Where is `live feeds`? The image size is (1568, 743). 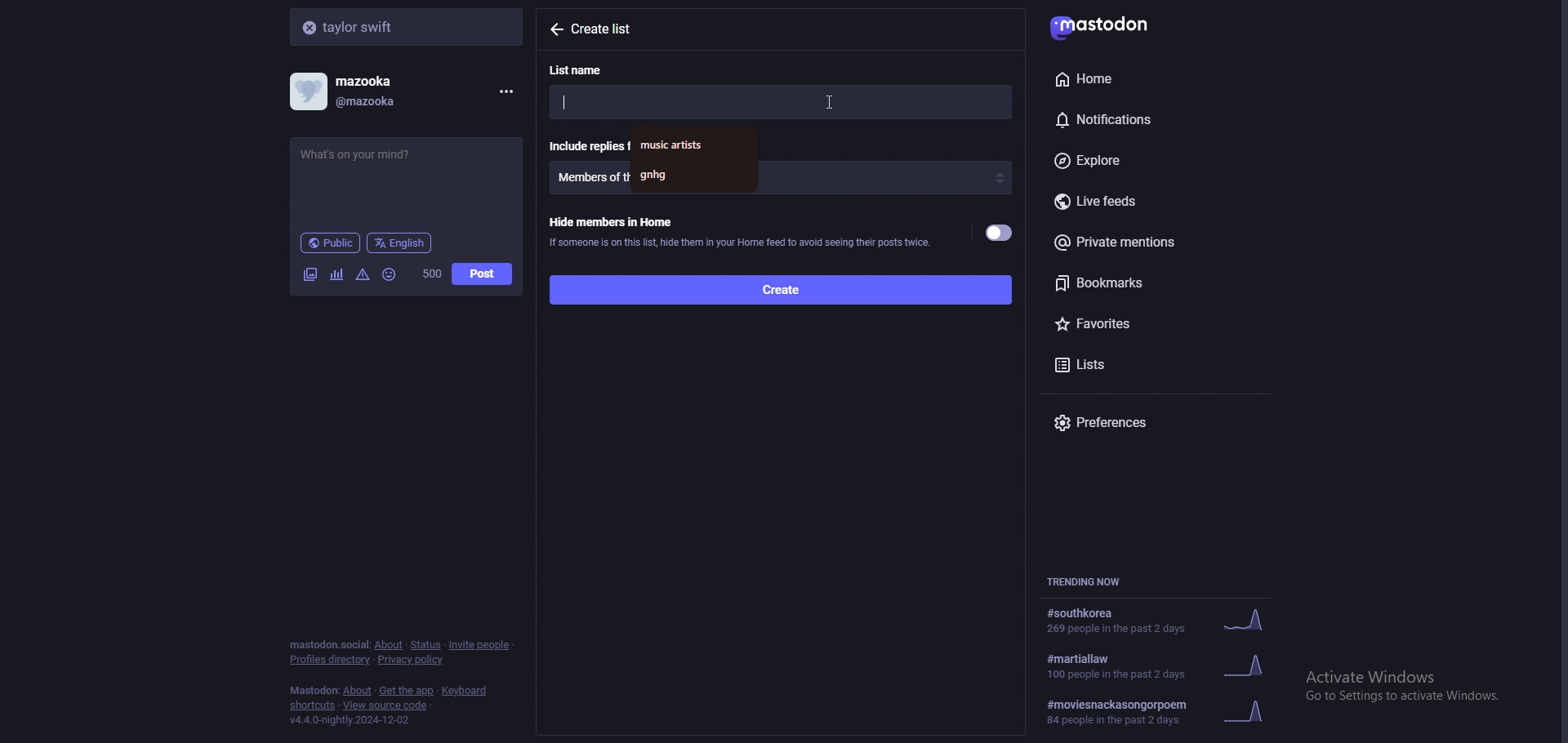 live feeds is located at coordinates (1160, 202).